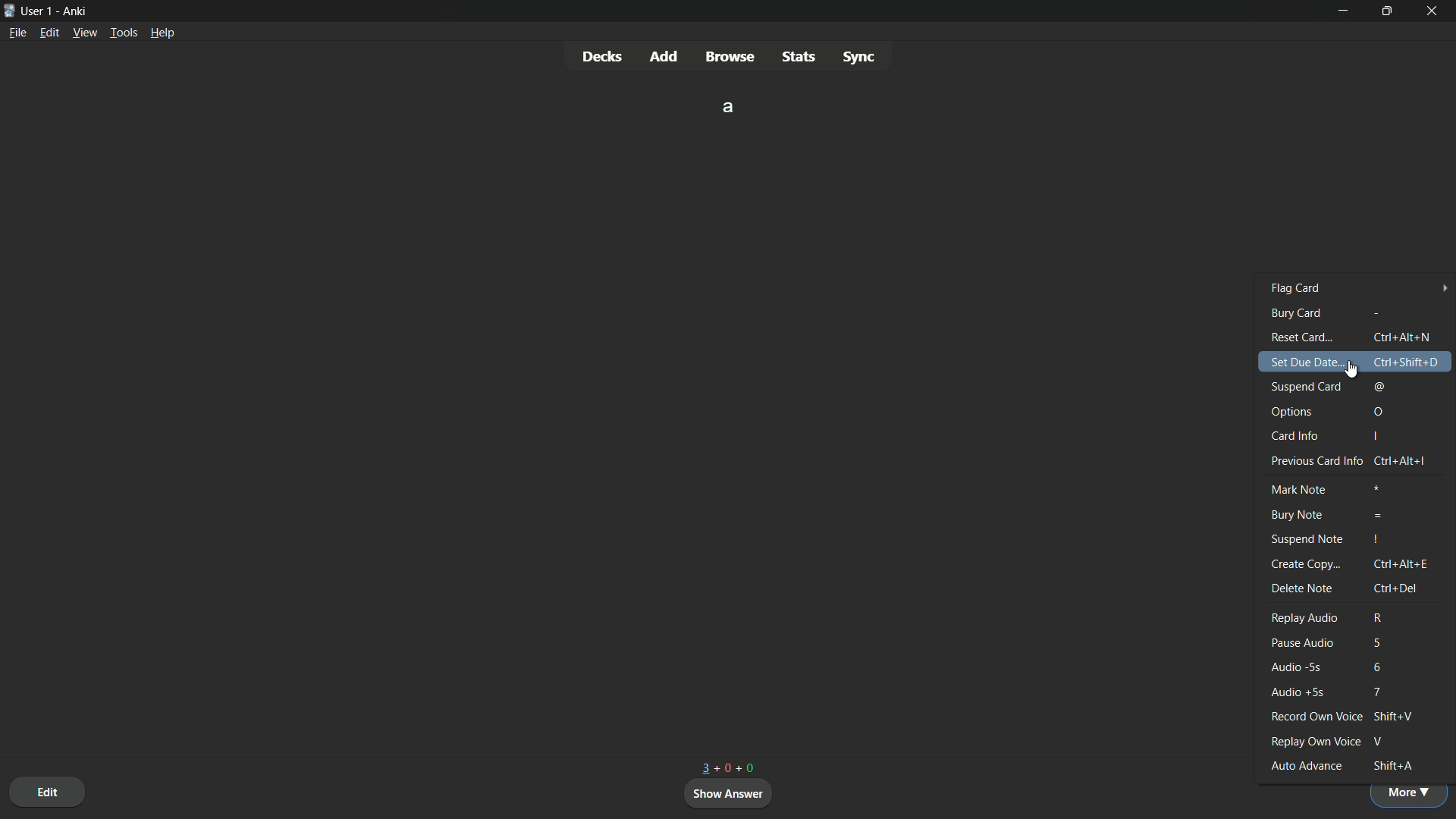 This screenshot has height=819, width=1456. I want to click on keyboard shortcut, so click(1400, 461).